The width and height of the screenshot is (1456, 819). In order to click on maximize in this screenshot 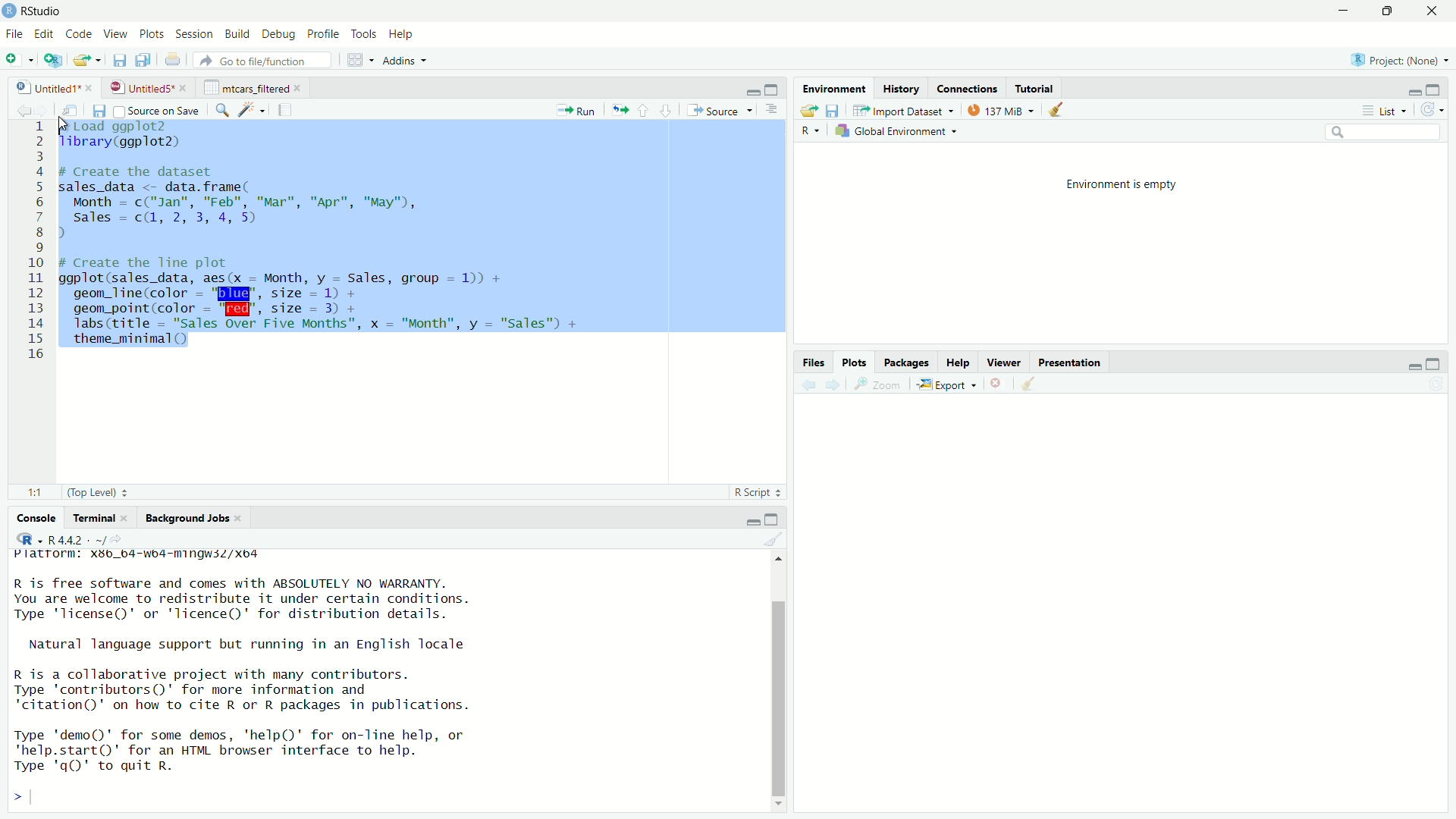, I will do `click(772, 520)`.